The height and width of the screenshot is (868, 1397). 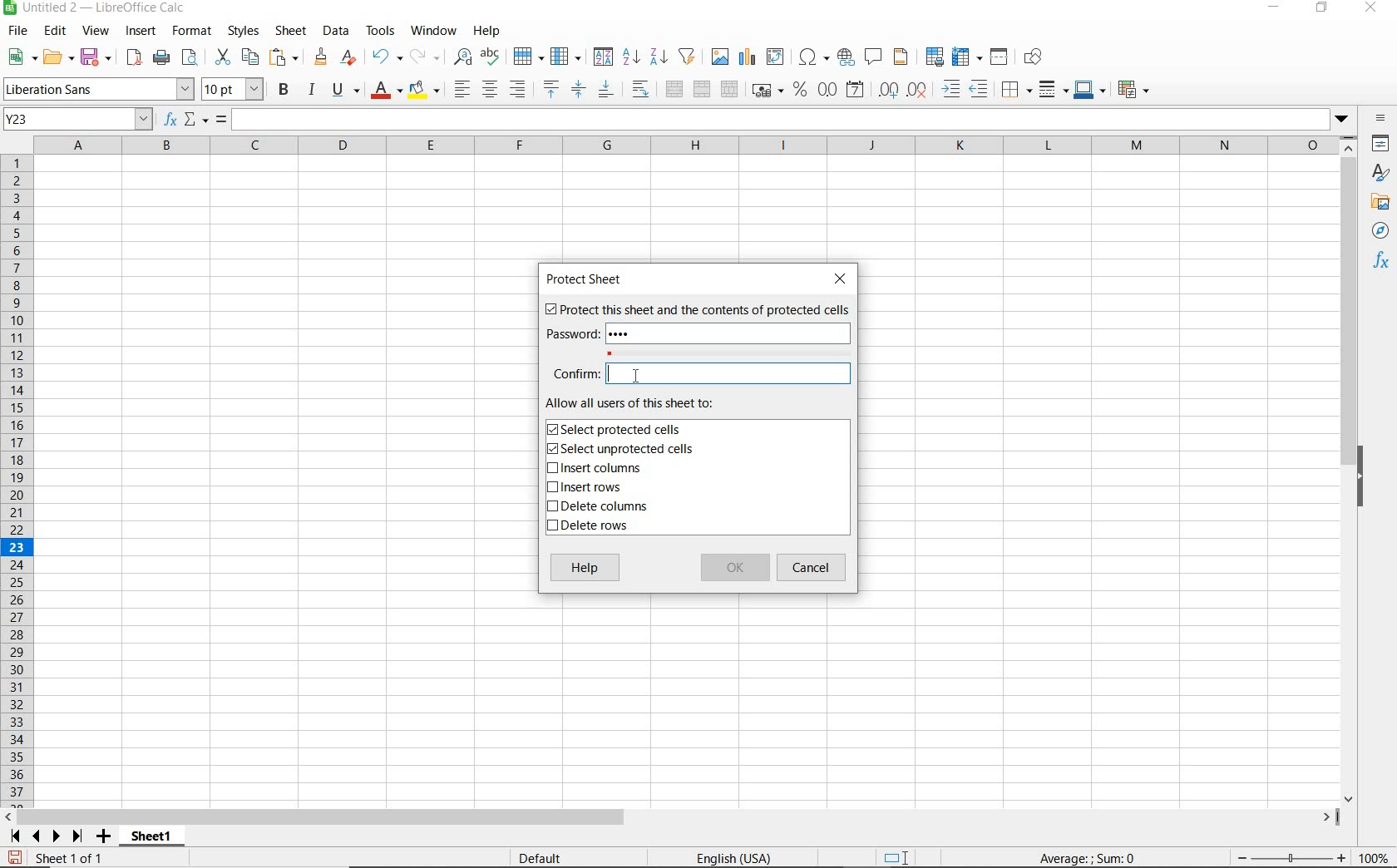 What do you see at coordinates (980, 91) in the screenshot?
I see `DECREASE INDENT` at bounding box center [980, 91].